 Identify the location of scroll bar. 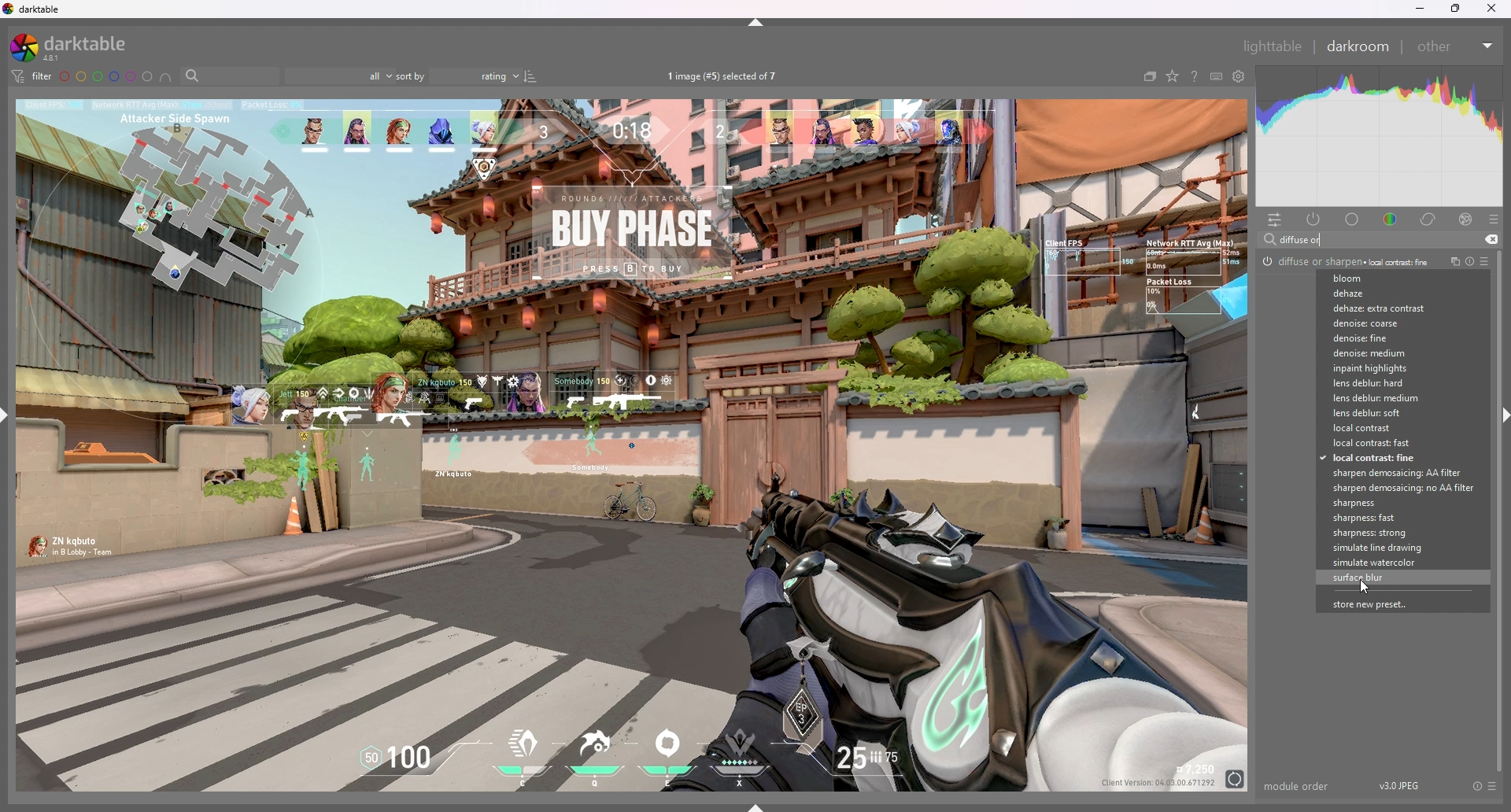
(1500, 509).